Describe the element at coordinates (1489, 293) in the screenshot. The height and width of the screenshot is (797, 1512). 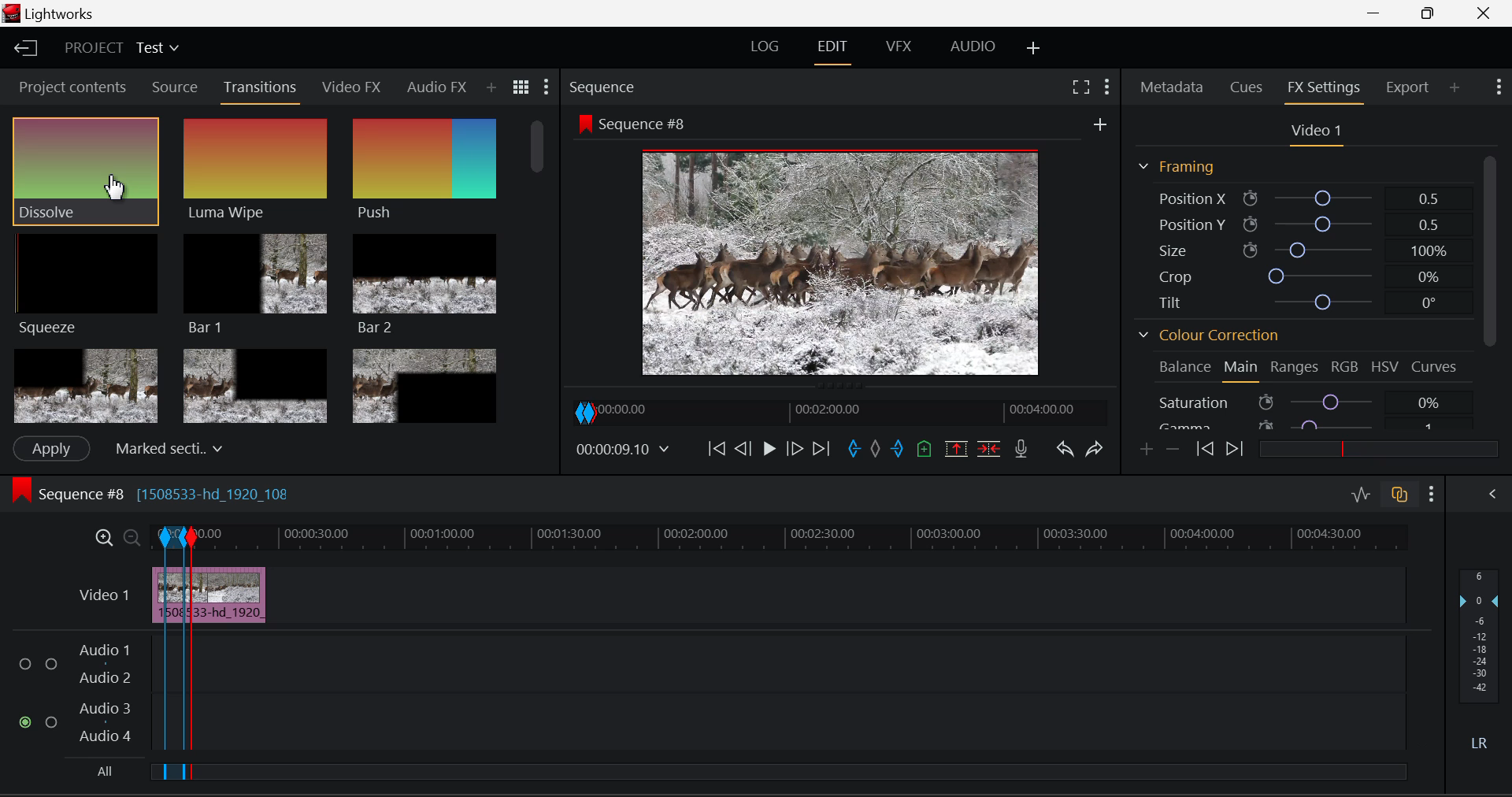
I see `Scroll Bar` at that location.